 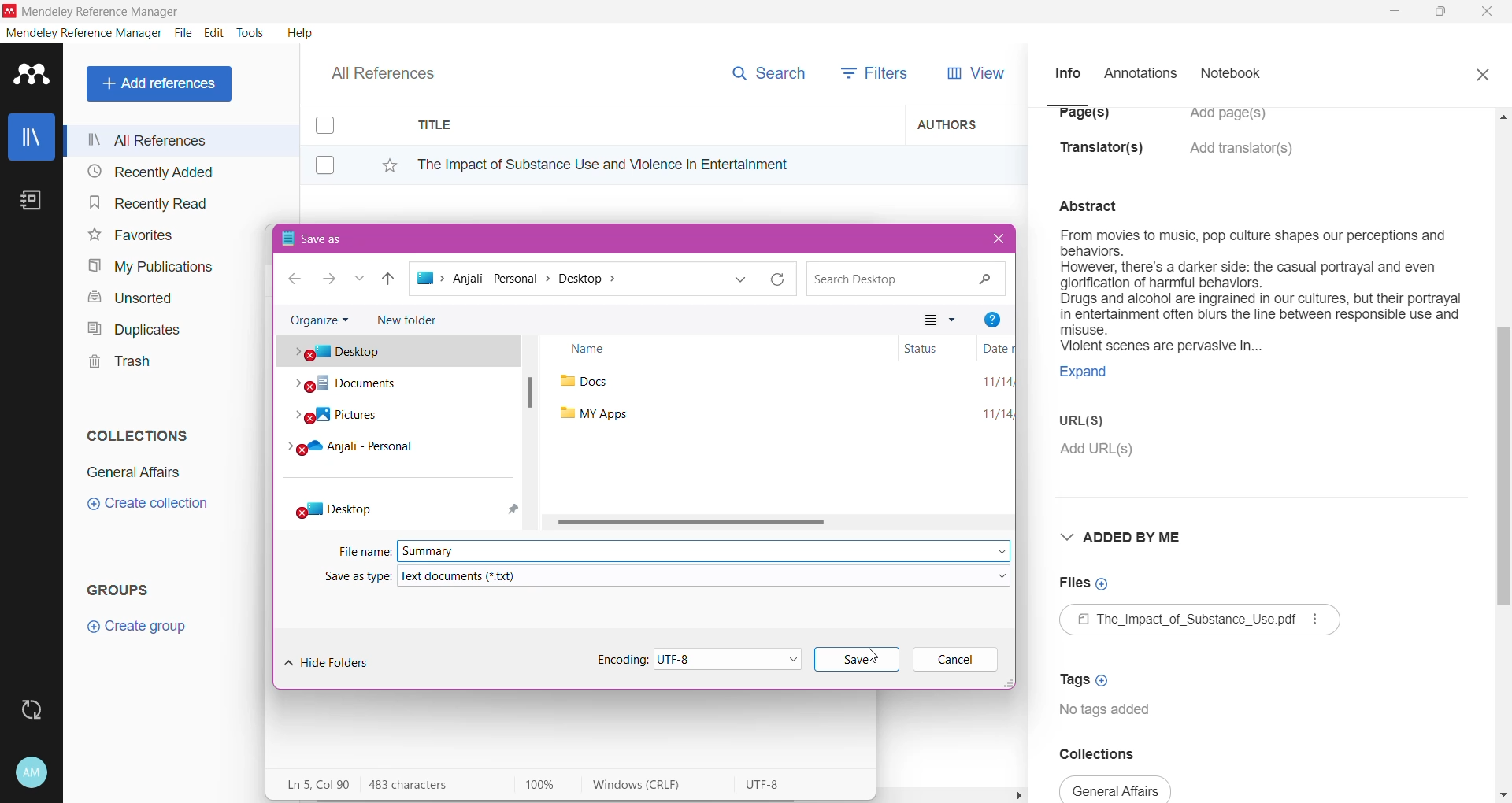 What do you see at coordinates (124, 589) in the screenshot?
I see `Groups` at bounding box center [124, 589].